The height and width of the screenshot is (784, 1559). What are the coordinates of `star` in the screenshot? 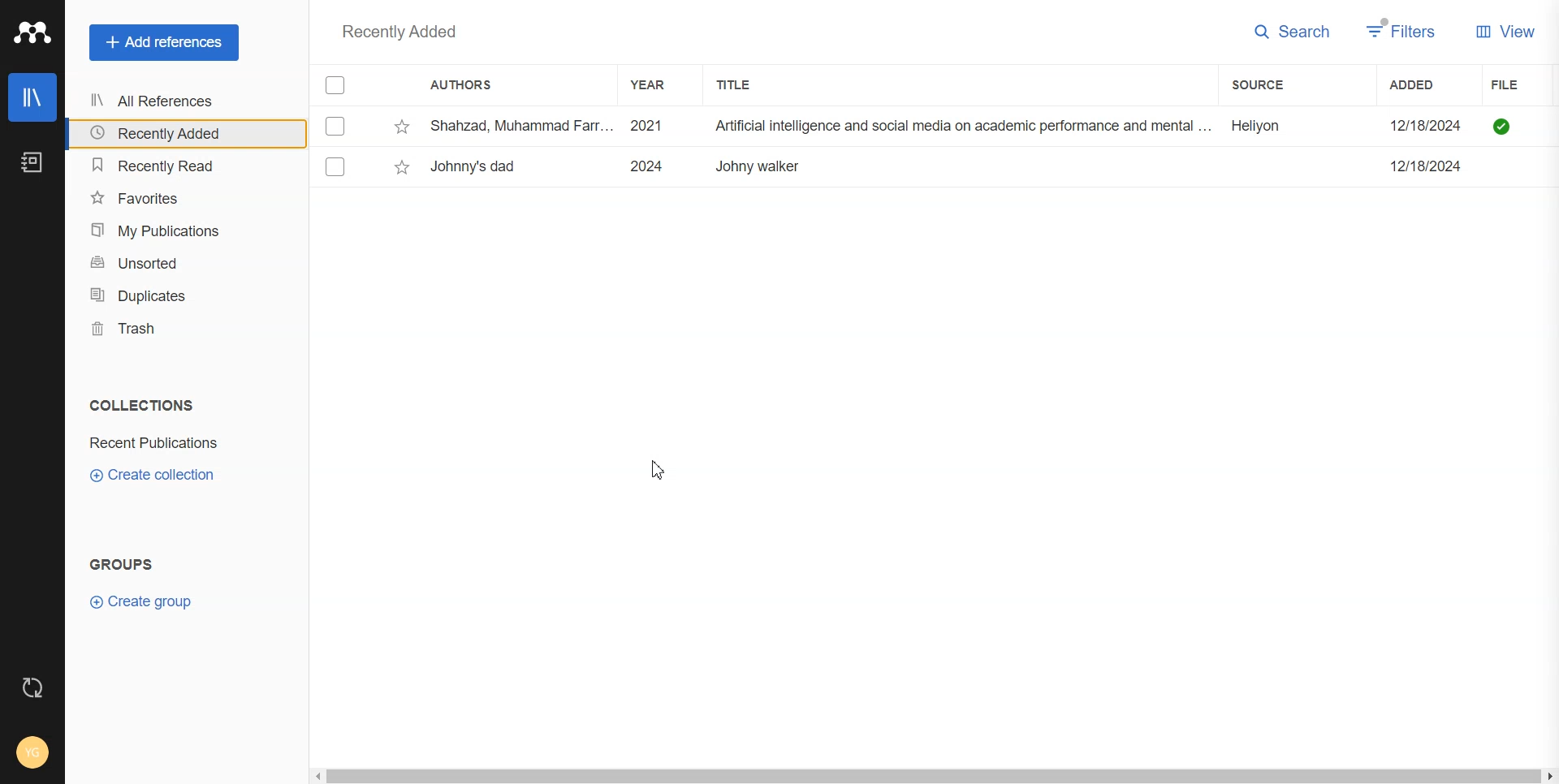 It's located at (403, 127).